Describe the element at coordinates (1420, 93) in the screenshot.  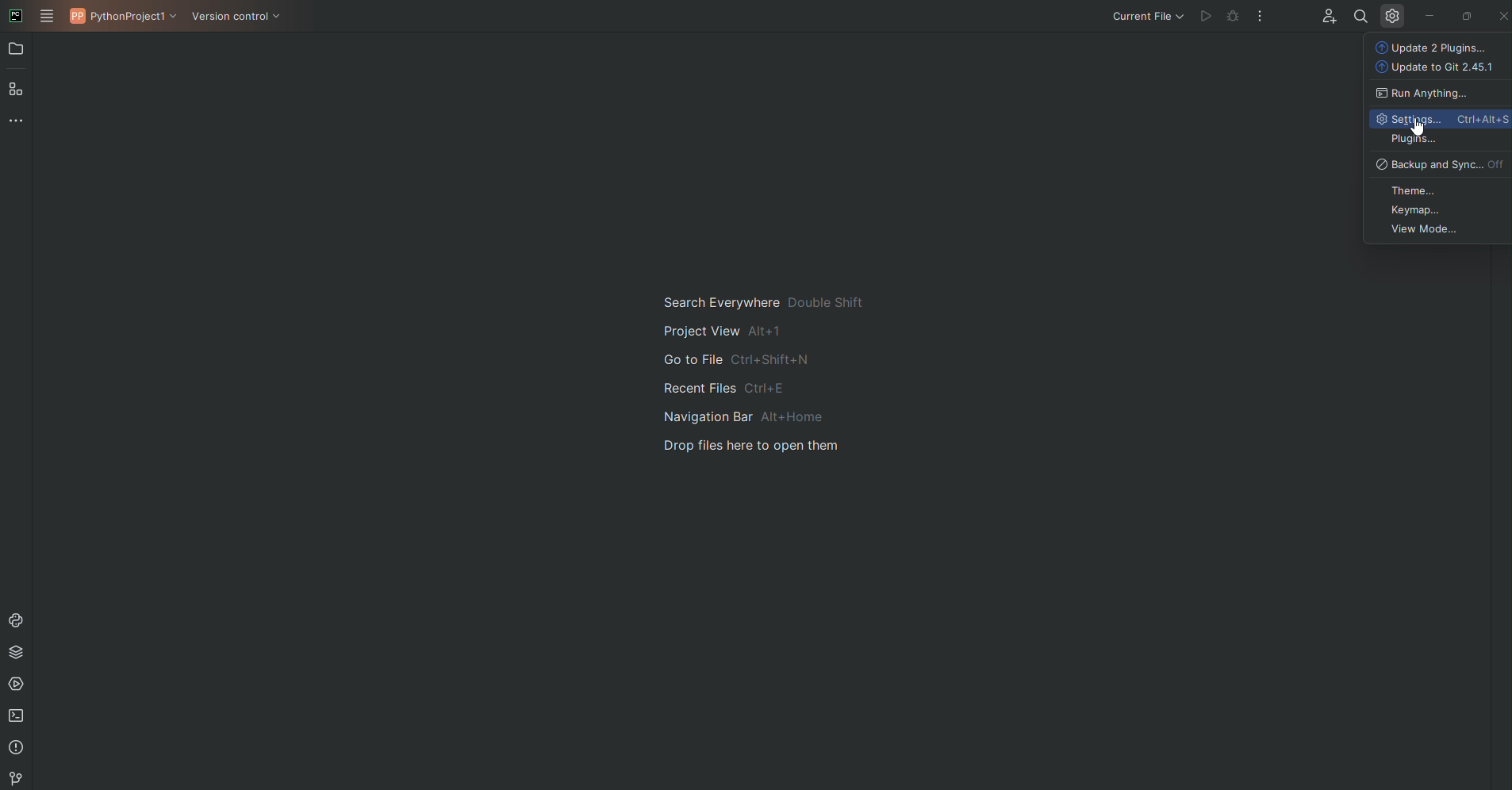
I see `Run anything` at that location.